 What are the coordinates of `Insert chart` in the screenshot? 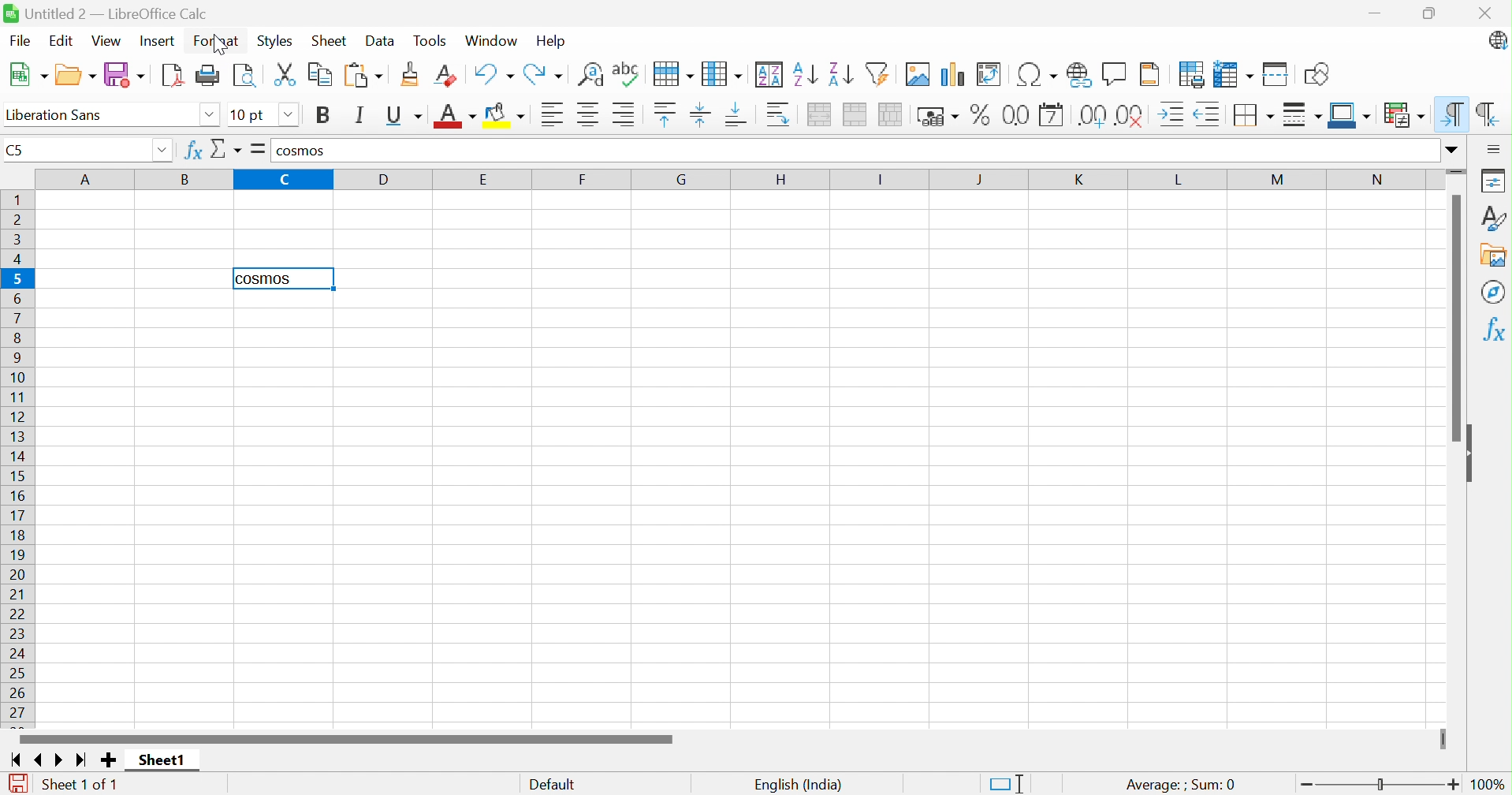 It's located at (954, 74).